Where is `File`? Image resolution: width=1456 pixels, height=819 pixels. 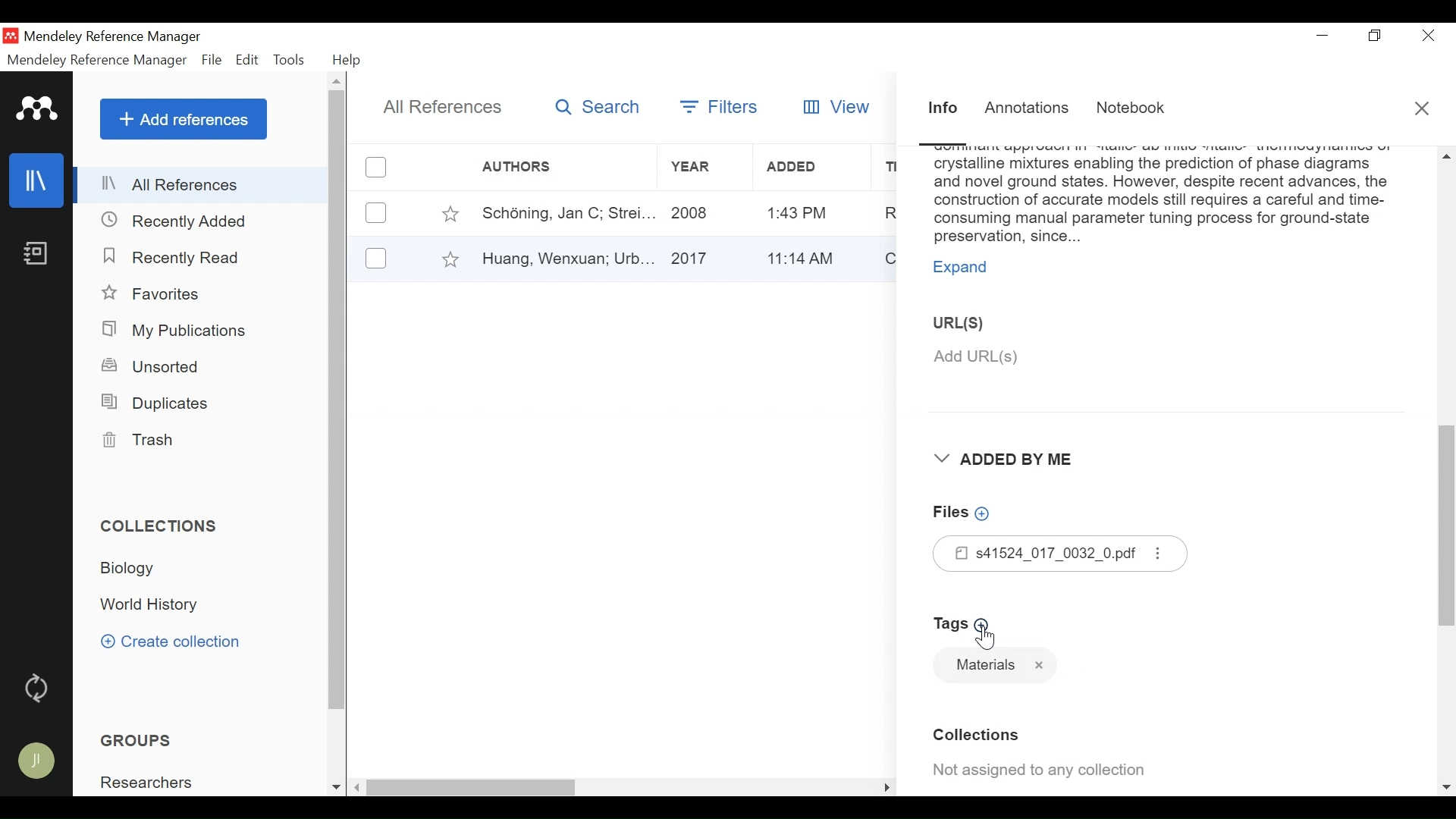 File is located at coordinates (212, 61).